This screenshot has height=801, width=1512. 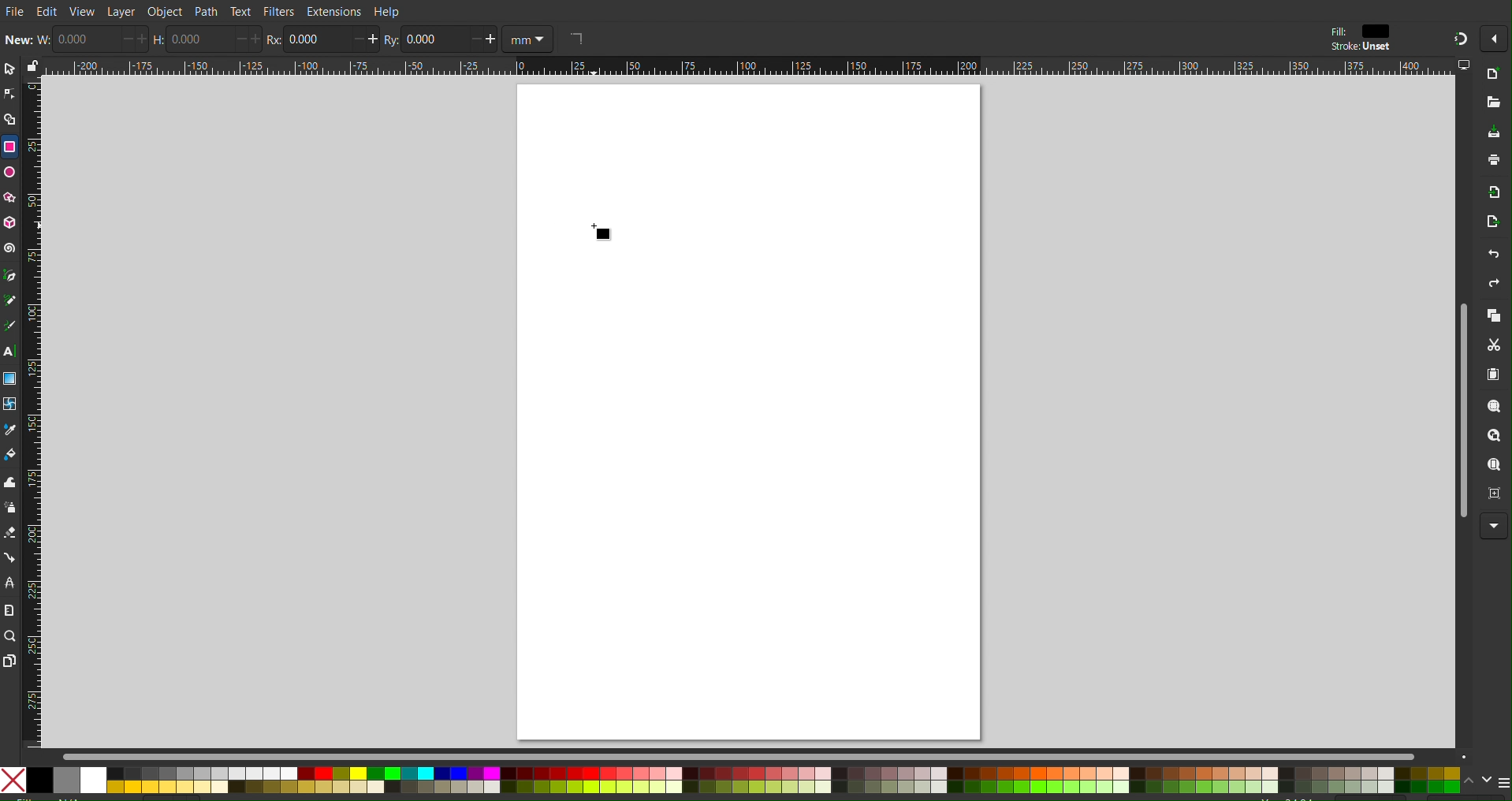 What do you see at coordinates (9, 117) in the screenshot?
I see `Shape Builder Tool` at bounding box center [9, 117].